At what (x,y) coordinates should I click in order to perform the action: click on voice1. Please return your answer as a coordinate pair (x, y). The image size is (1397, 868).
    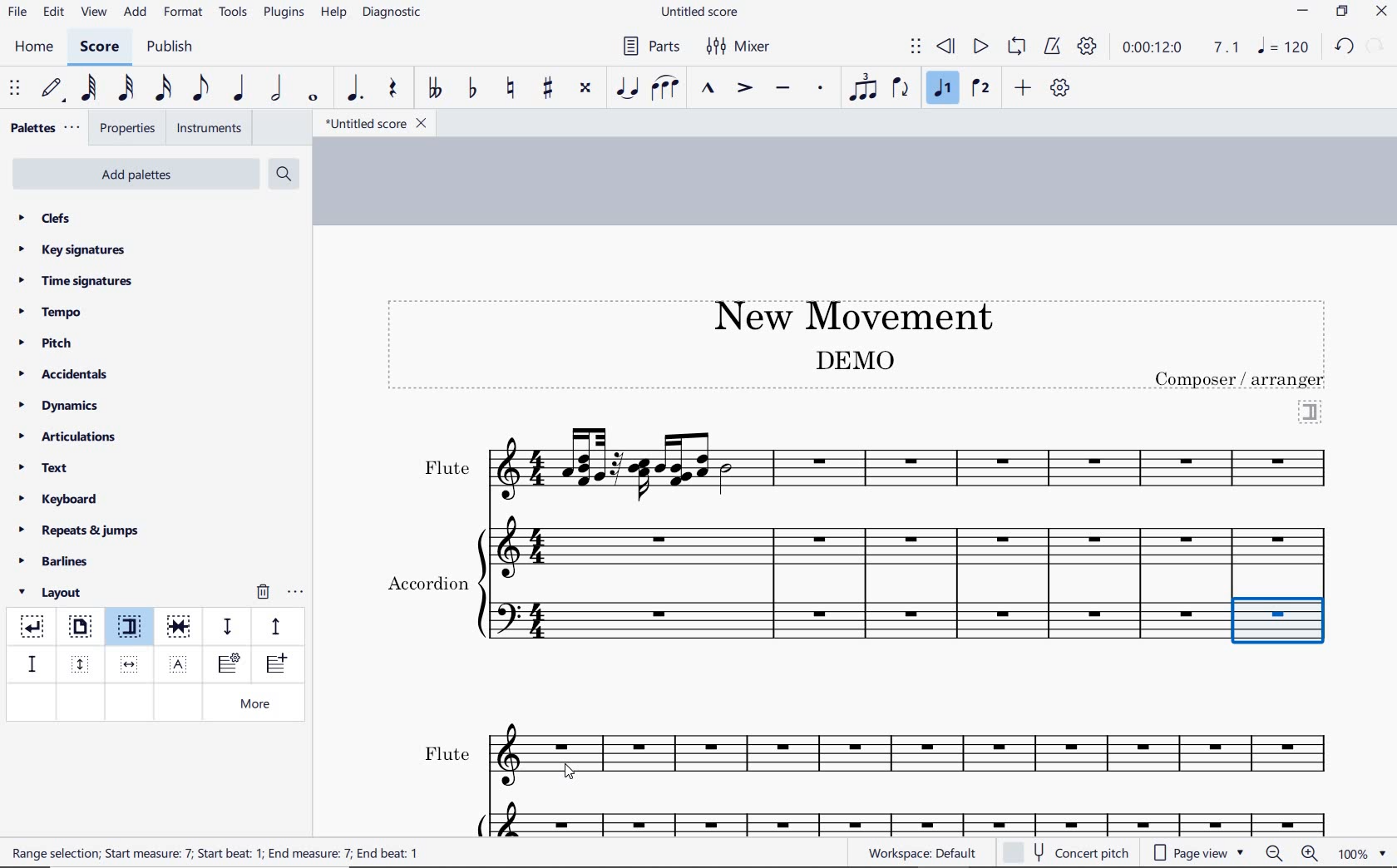
    Looking at the image, I should click on (945, 89).